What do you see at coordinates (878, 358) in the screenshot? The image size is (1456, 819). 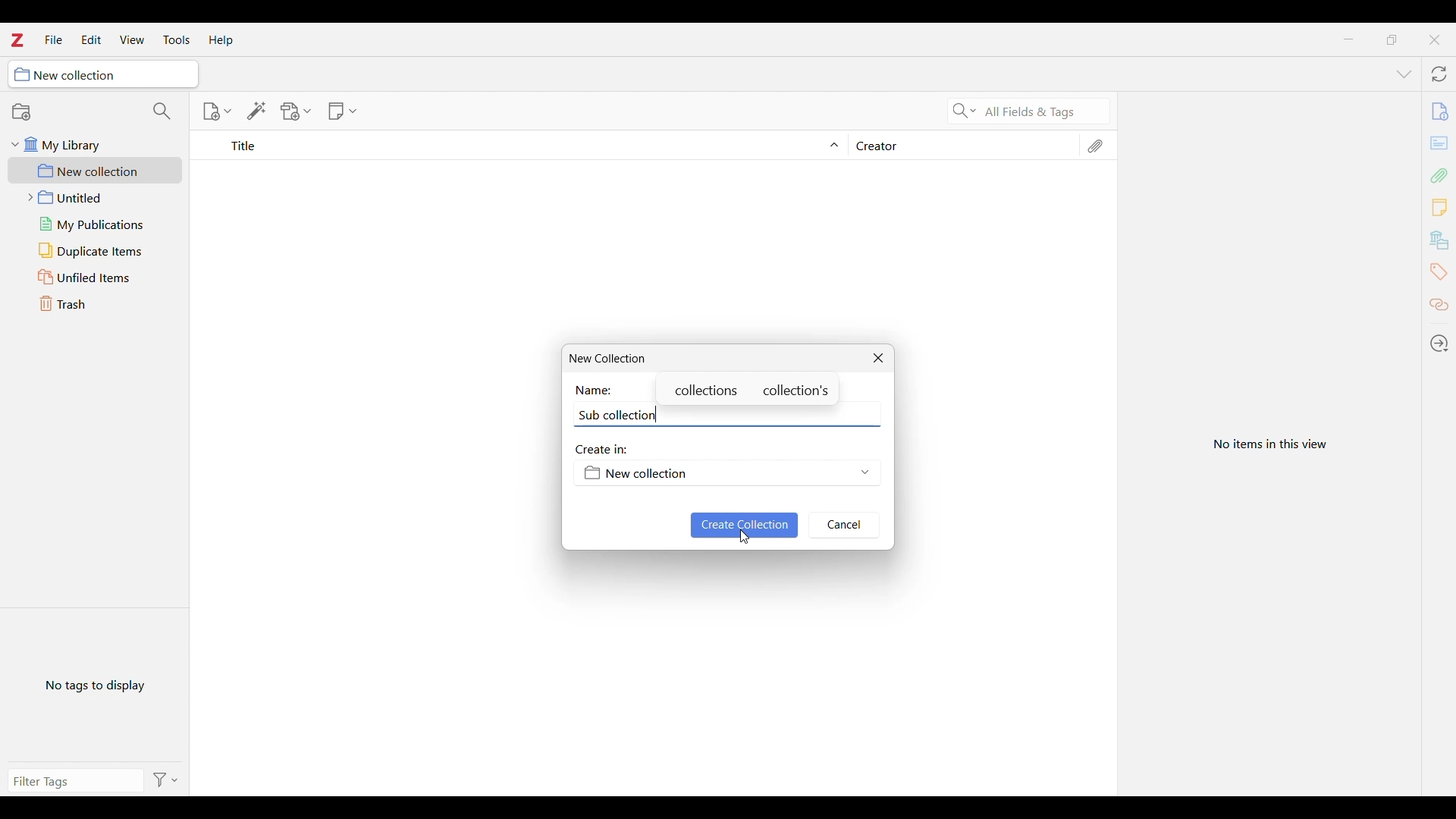 I see `Close New collection window` at bounding box center [878, 358].